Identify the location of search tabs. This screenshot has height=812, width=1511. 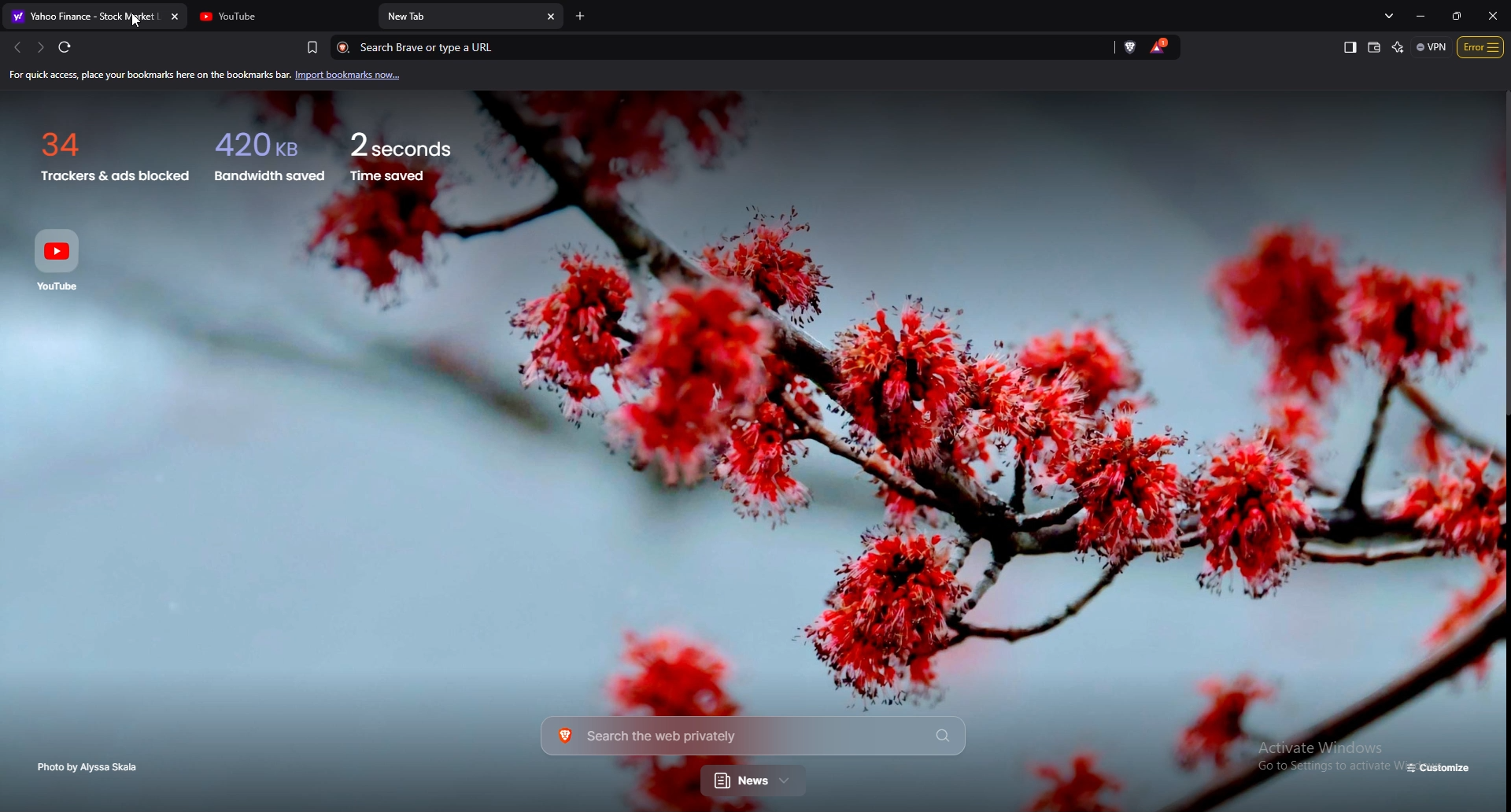
(1391, 15).